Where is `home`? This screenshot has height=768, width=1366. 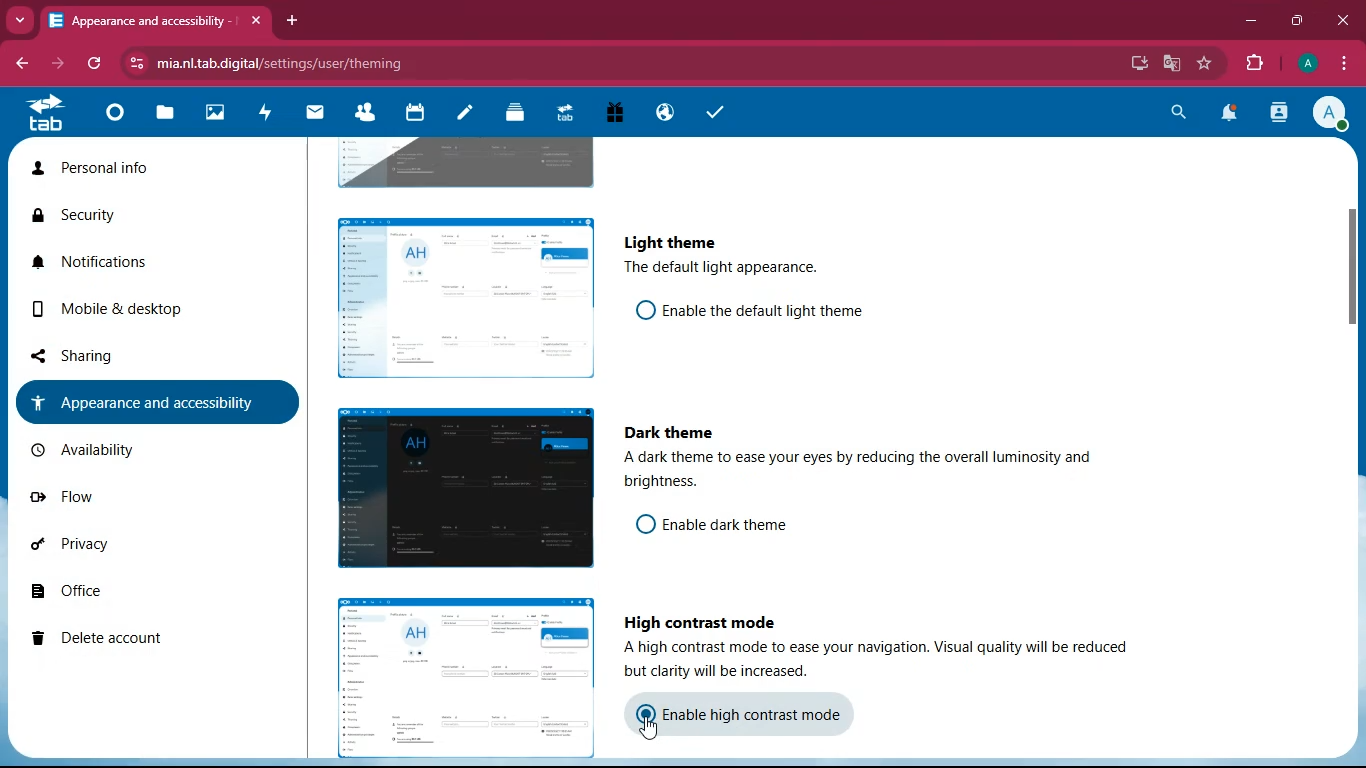
home is located at coordinates (110, 119).